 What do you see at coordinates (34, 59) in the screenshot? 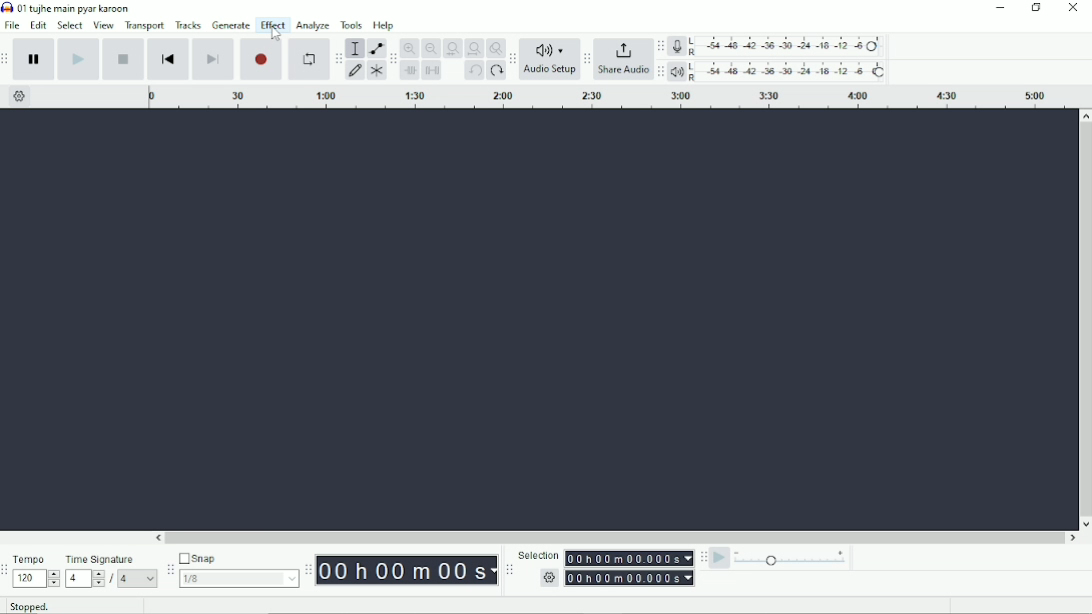
I see `Pause` at bounding box center [34, 59].